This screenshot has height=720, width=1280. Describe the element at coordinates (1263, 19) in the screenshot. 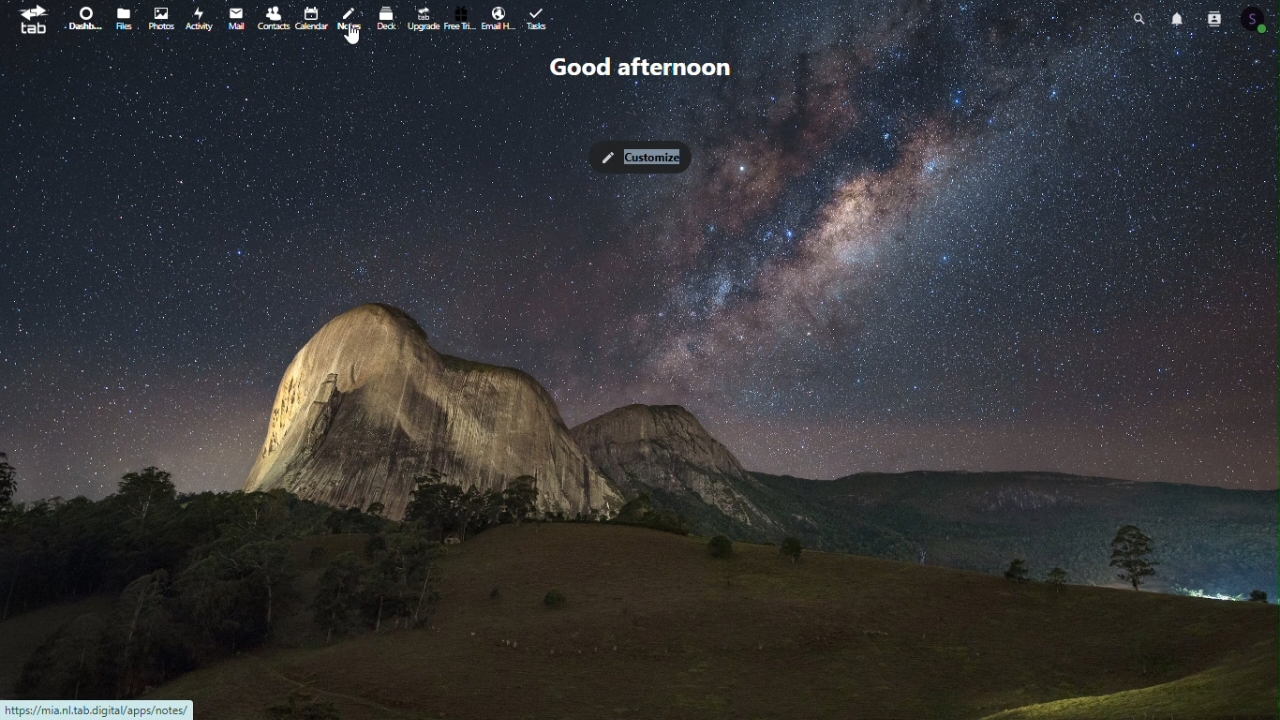

I see `Profile` at that location.